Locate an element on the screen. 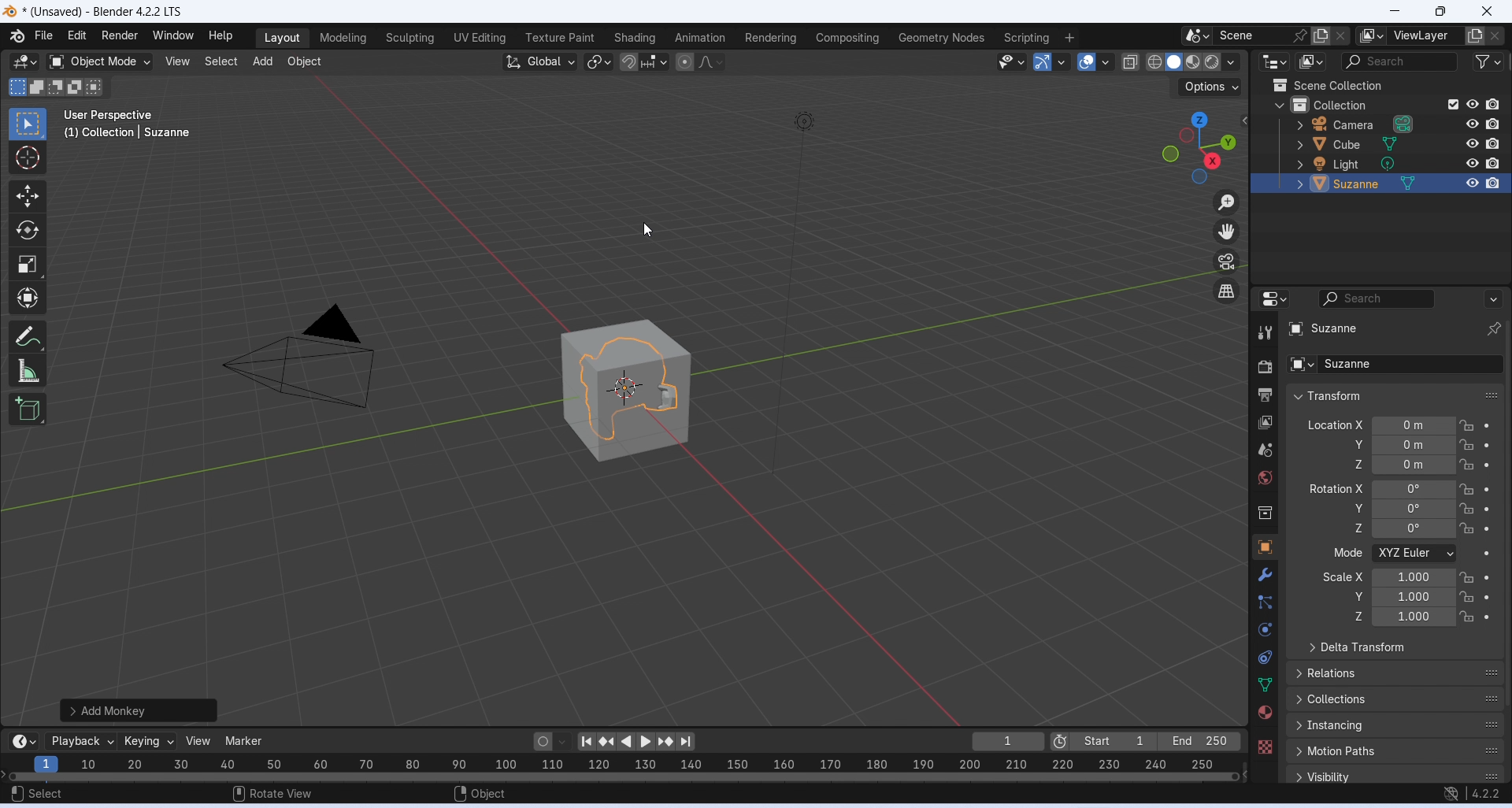  Toggle the camera view is located at coordinates (1226, 261).